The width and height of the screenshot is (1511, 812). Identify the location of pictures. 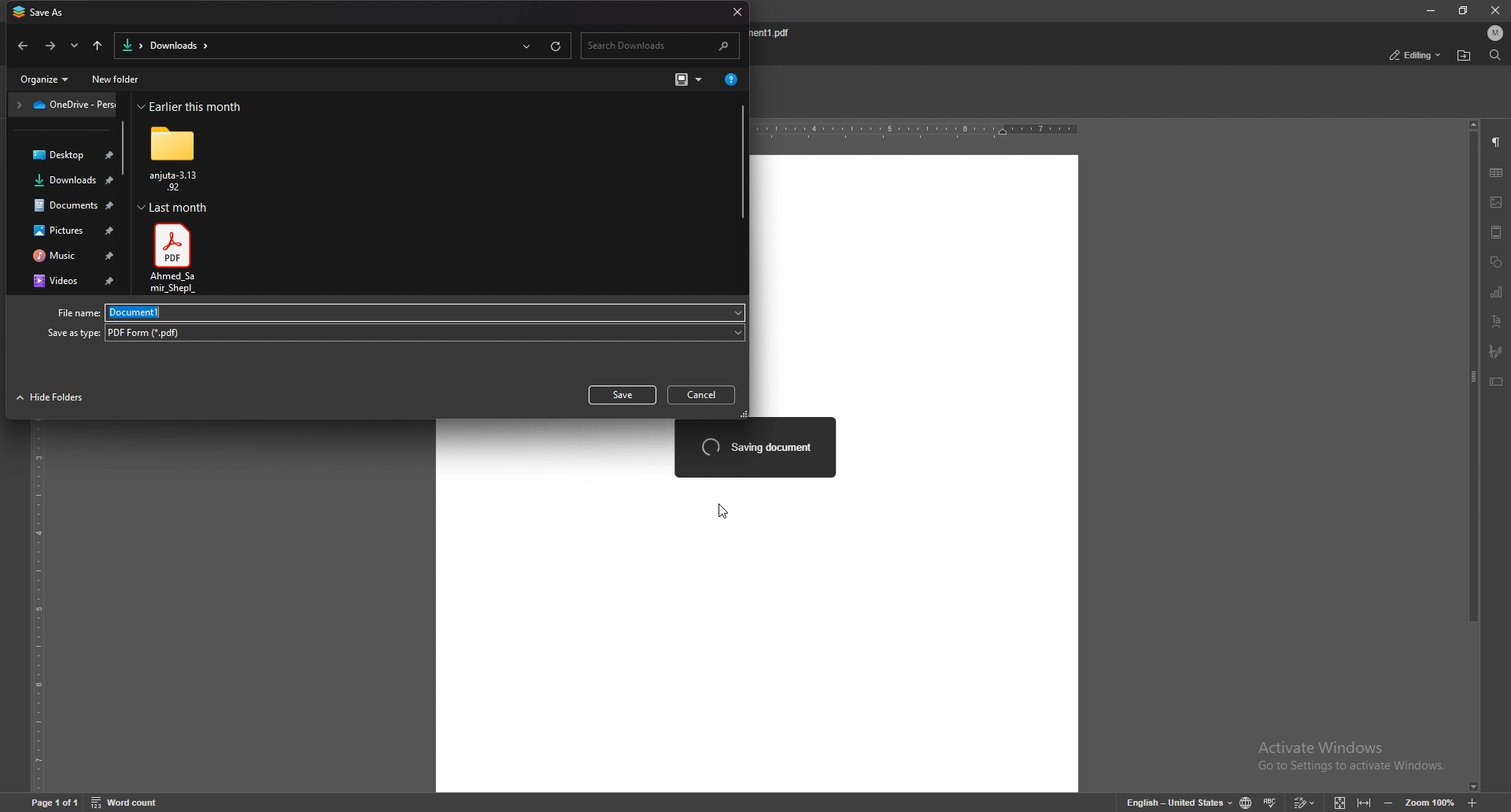
(68, 230).